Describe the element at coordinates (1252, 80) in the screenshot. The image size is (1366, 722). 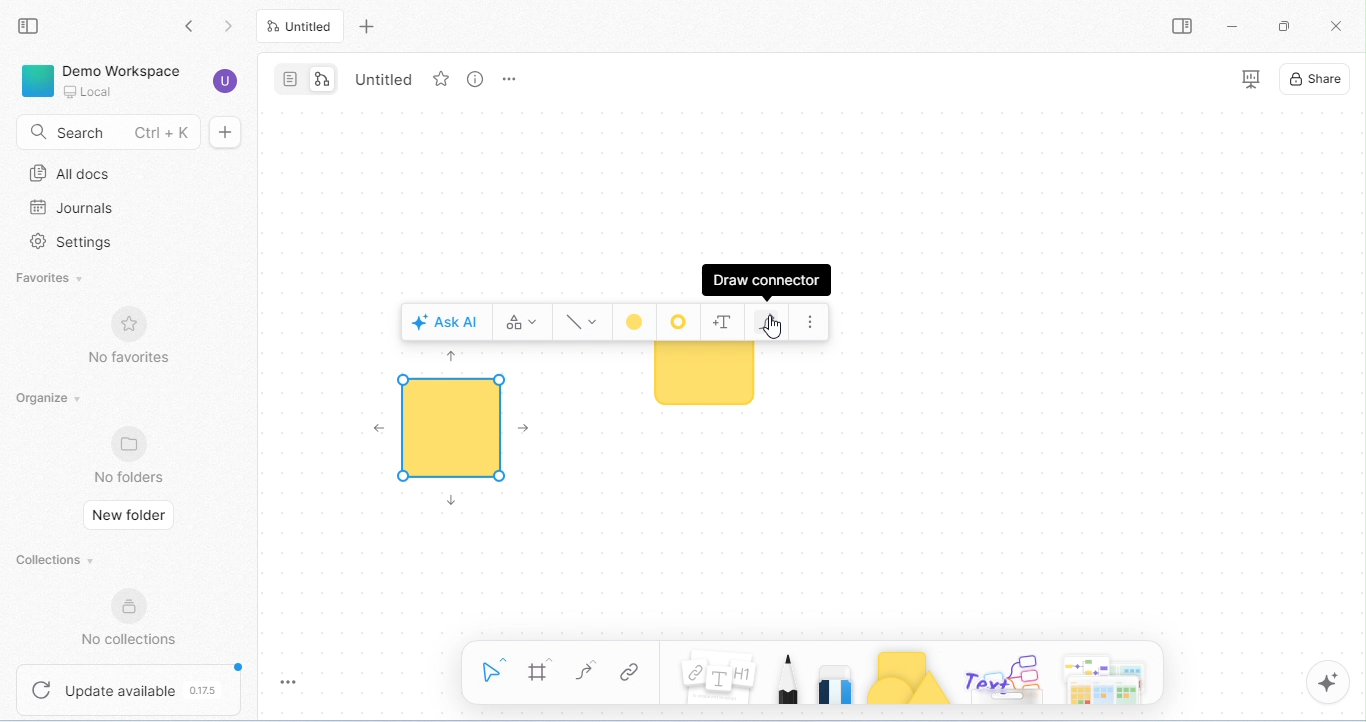
I see `presentation` at that location.